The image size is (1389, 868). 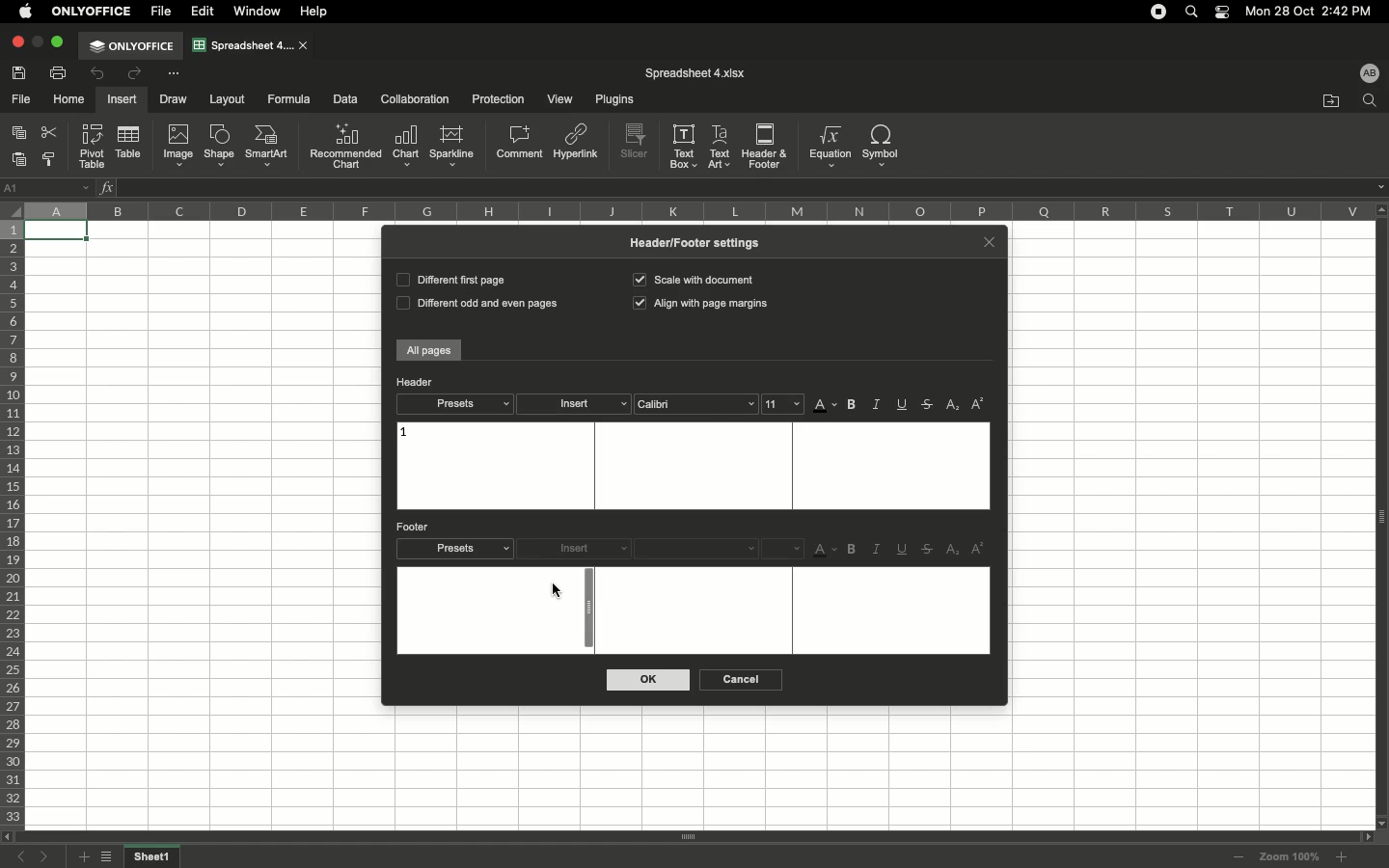 I want to click on Apple logo, so click(x=26, y=11).